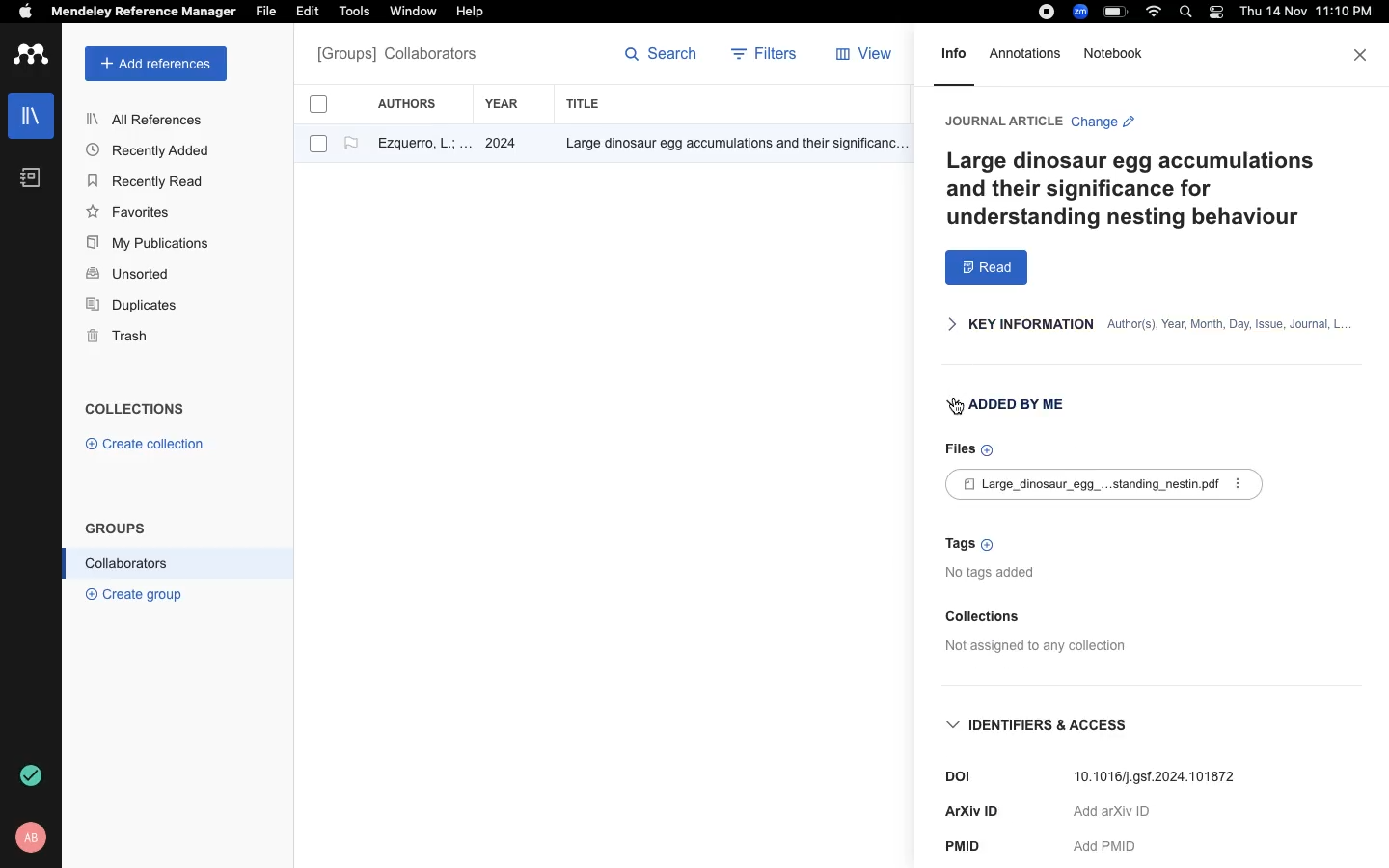  I want to click on light/dark mode, so click(1215, 12).